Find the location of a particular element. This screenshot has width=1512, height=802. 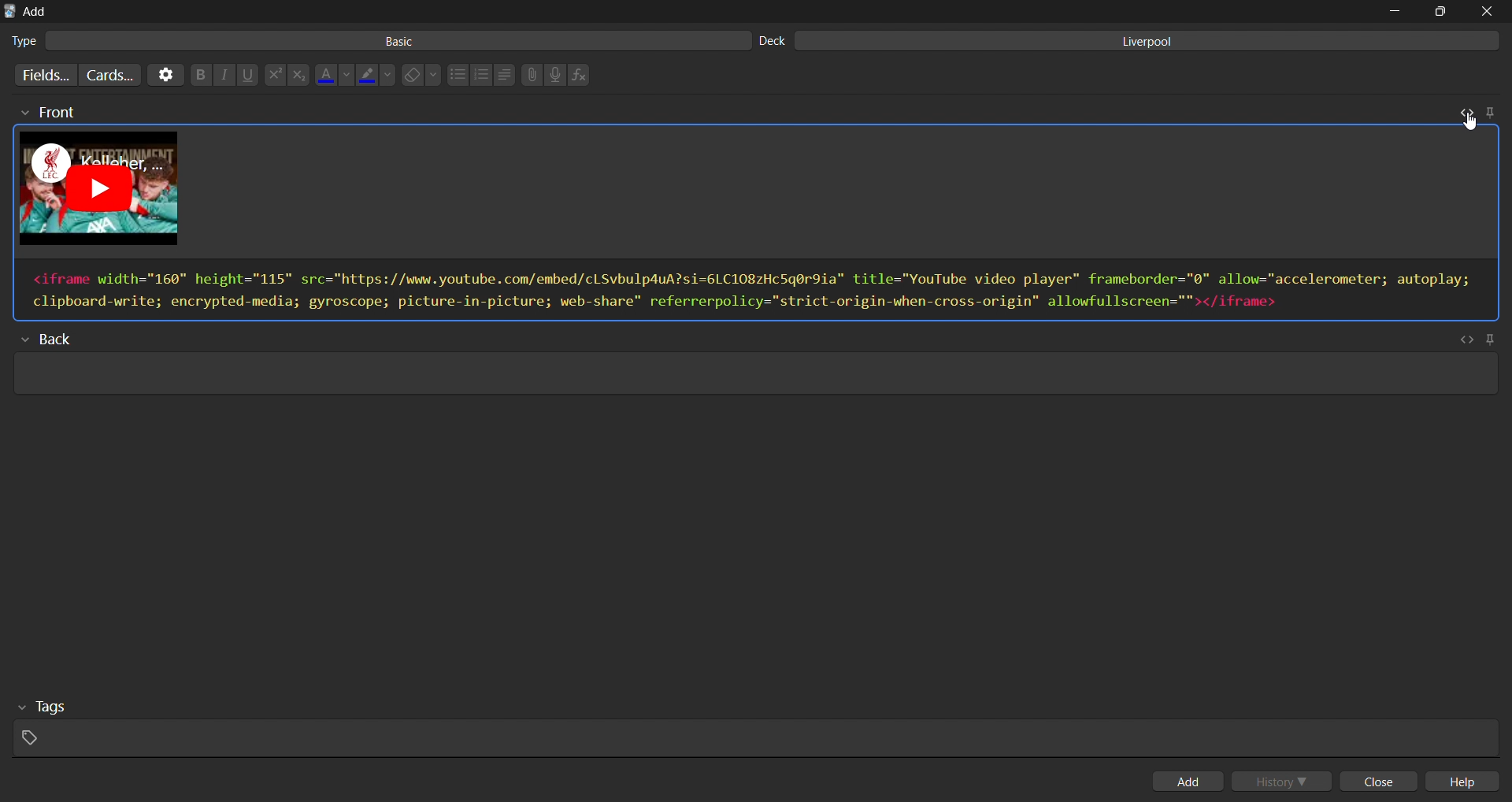

ordered list is located at coordinates (481, 75).